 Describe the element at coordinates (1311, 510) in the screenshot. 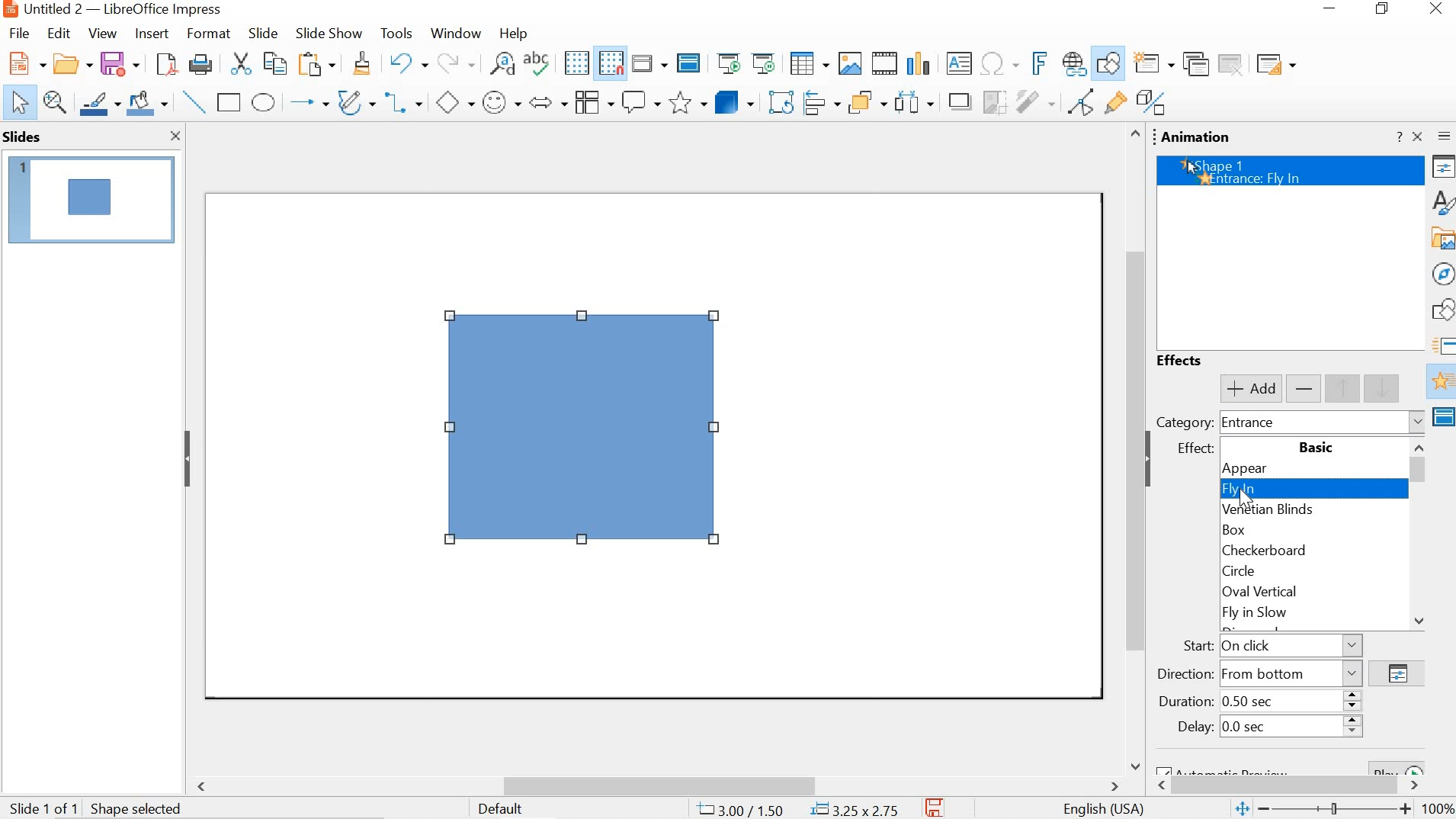

I see `venetian blinds` at that location.